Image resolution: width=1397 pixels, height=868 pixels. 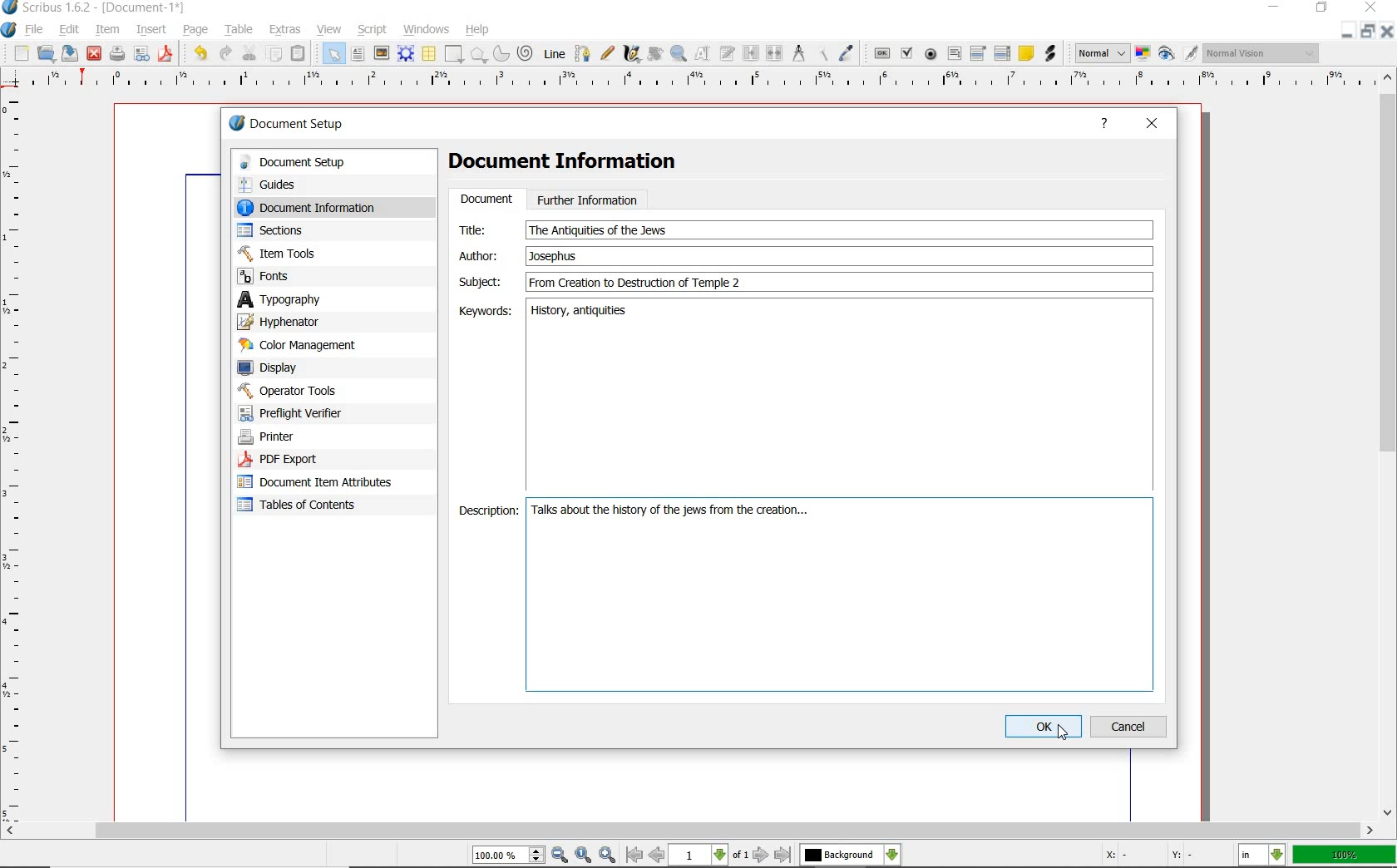 What do you see at coordinates (20, 53) in the screenshot?
I see `new` at bounding box center [20, 53].